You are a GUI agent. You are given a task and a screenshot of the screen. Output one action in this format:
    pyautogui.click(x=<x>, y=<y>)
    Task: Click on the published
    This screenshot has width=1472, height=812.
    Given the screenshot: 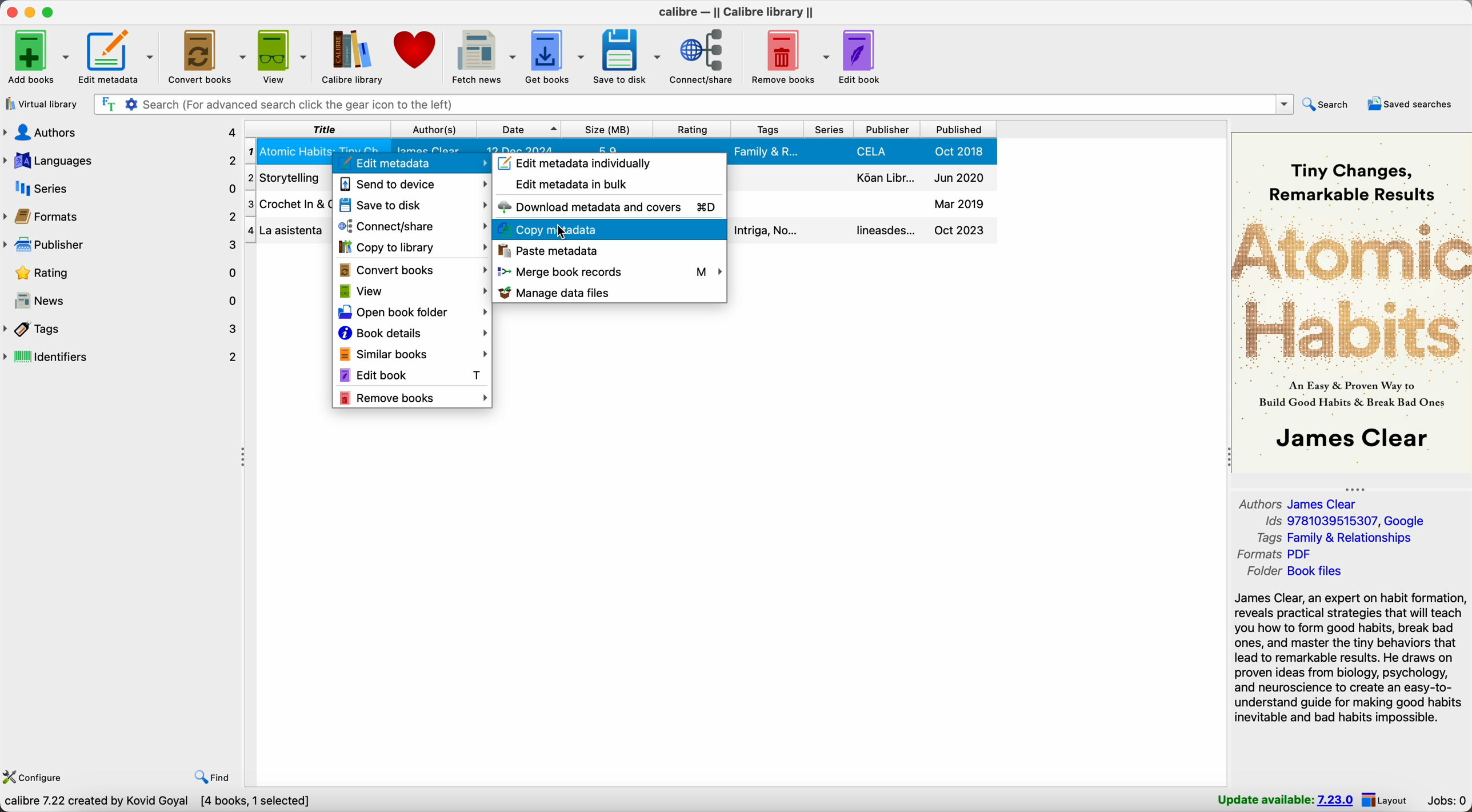 What is the action you would take?
    pyautogui.click(x=958, y=129)
    